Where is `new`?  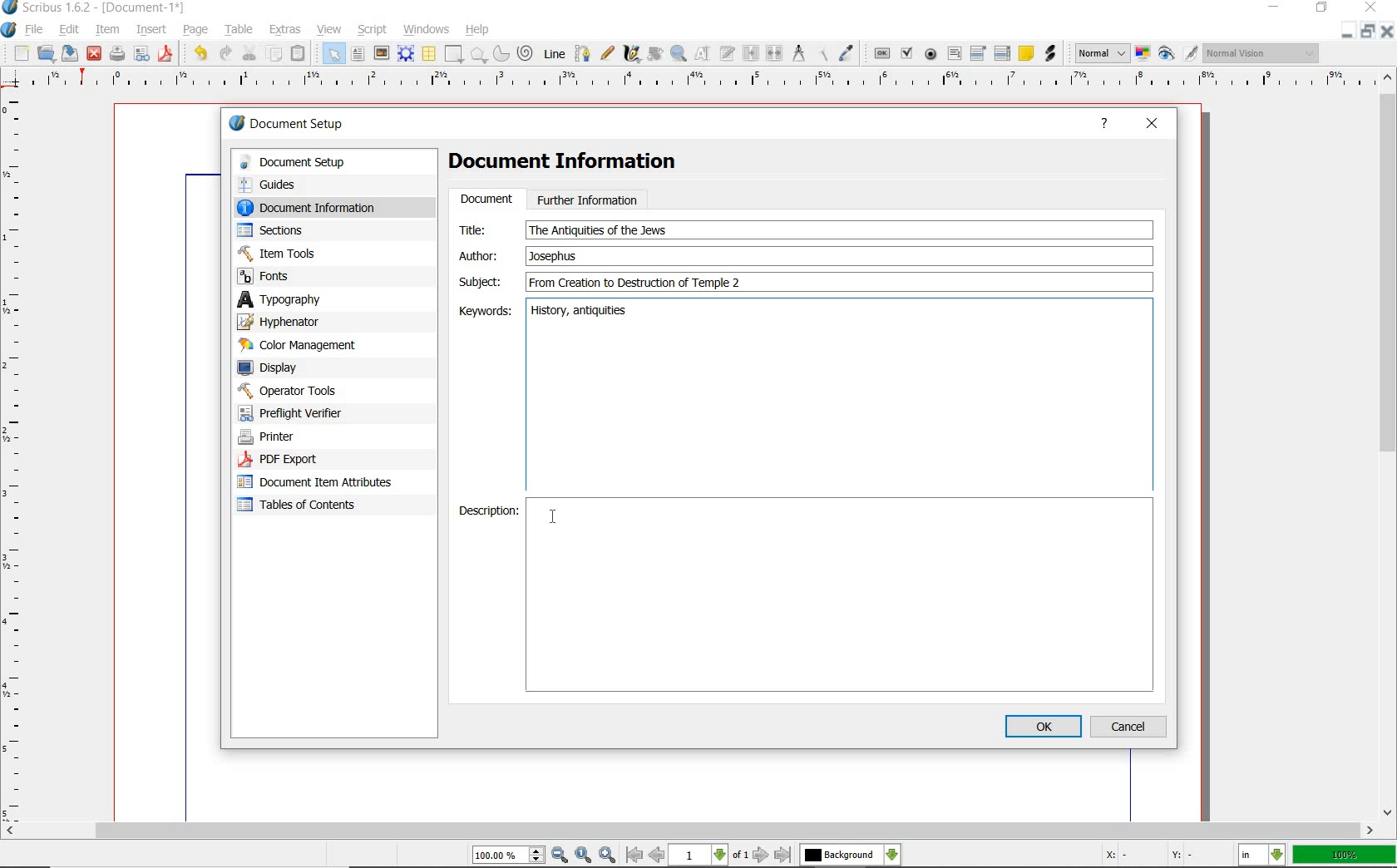 new is located at coordinates (20, 53).